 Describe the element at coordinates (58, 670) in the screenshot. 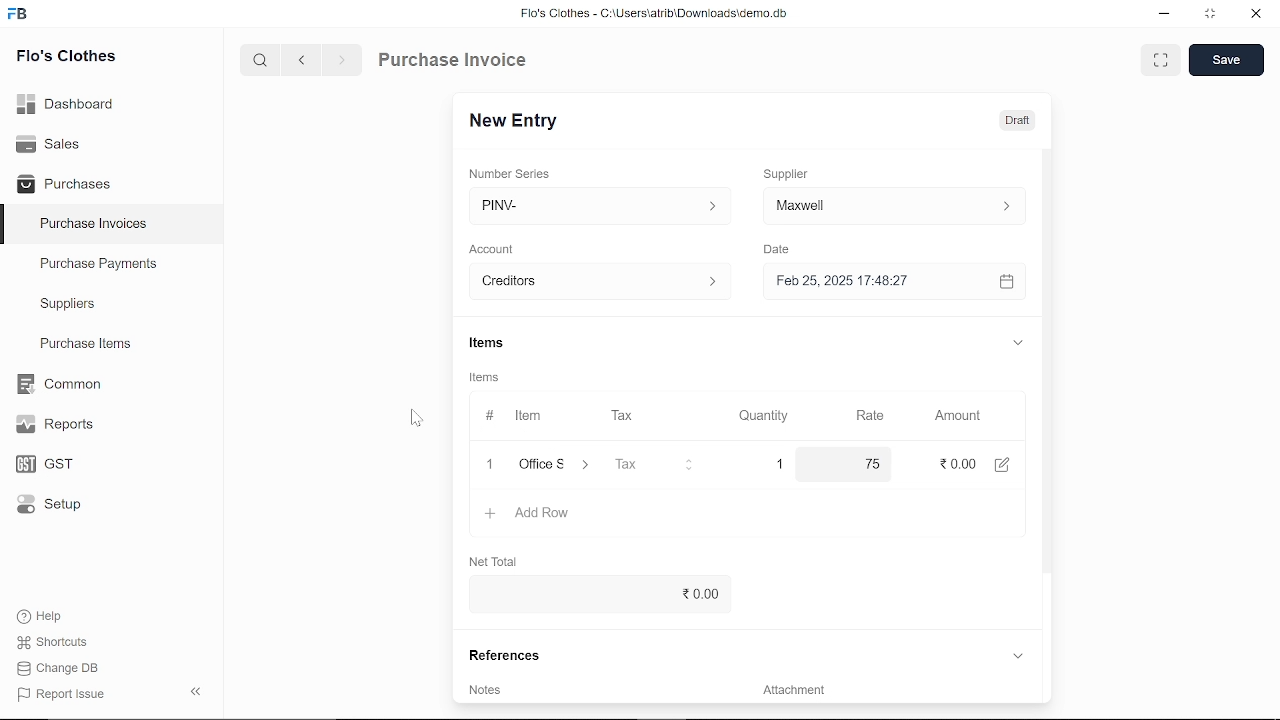

I see `Change DB` at that location.